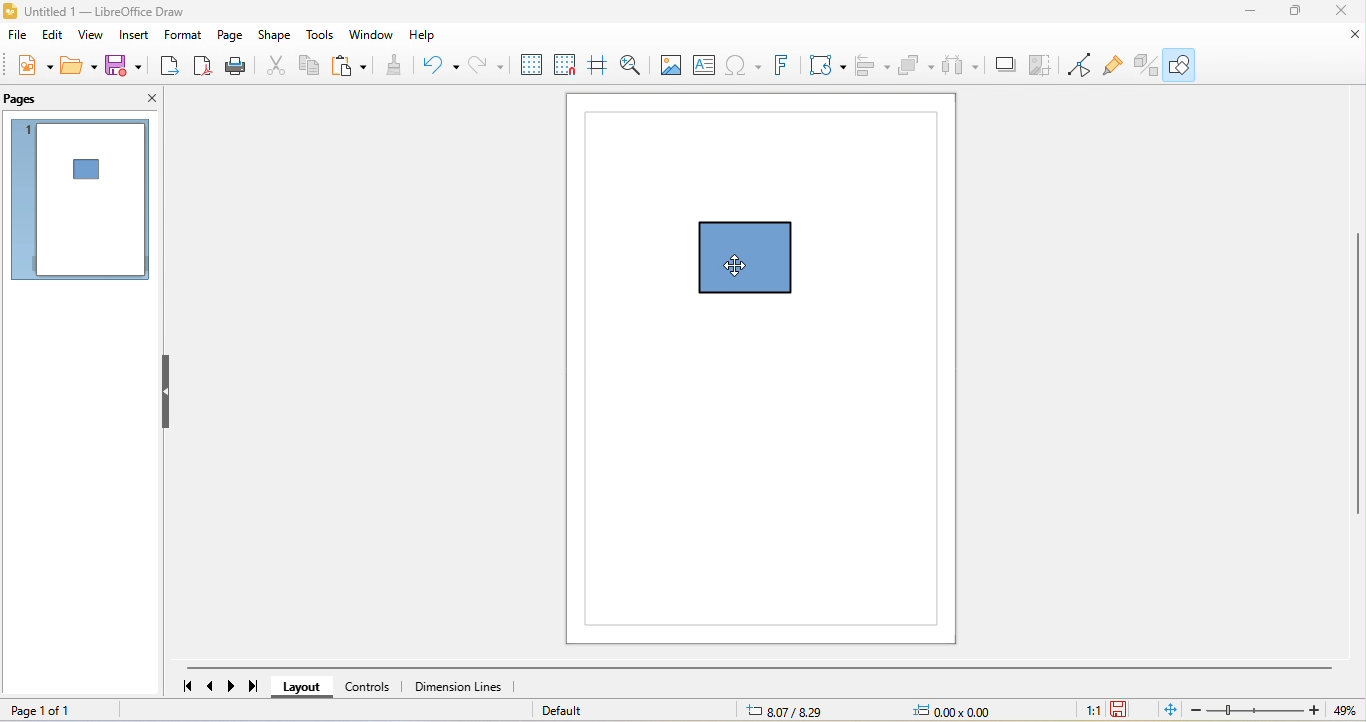 This screenshot has height=722, width=1366. I want to click on format, so click(185, 36).